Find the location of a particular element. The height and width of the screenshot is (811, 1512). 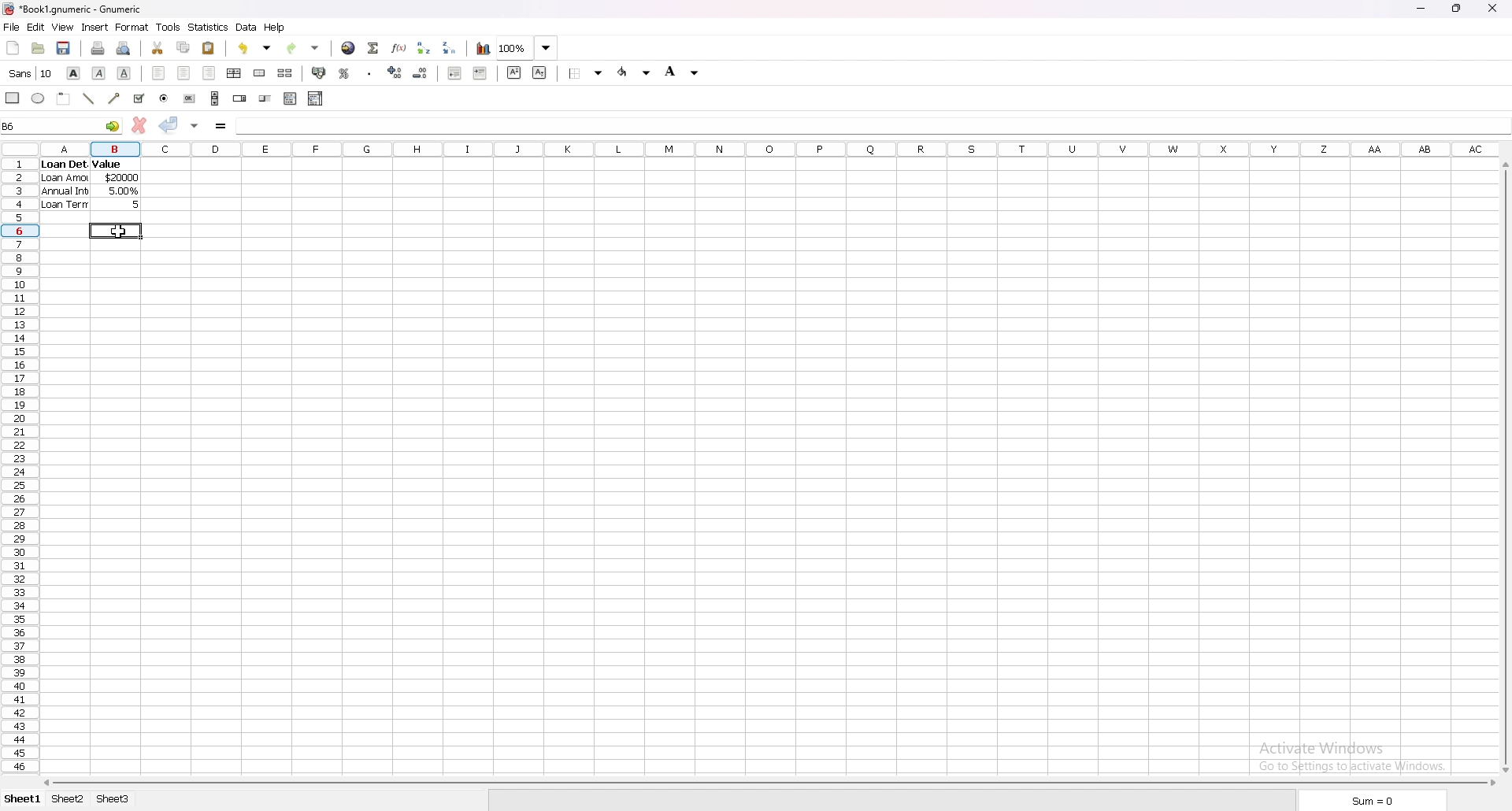

scroll bar is located at coordinates (1505, 465).